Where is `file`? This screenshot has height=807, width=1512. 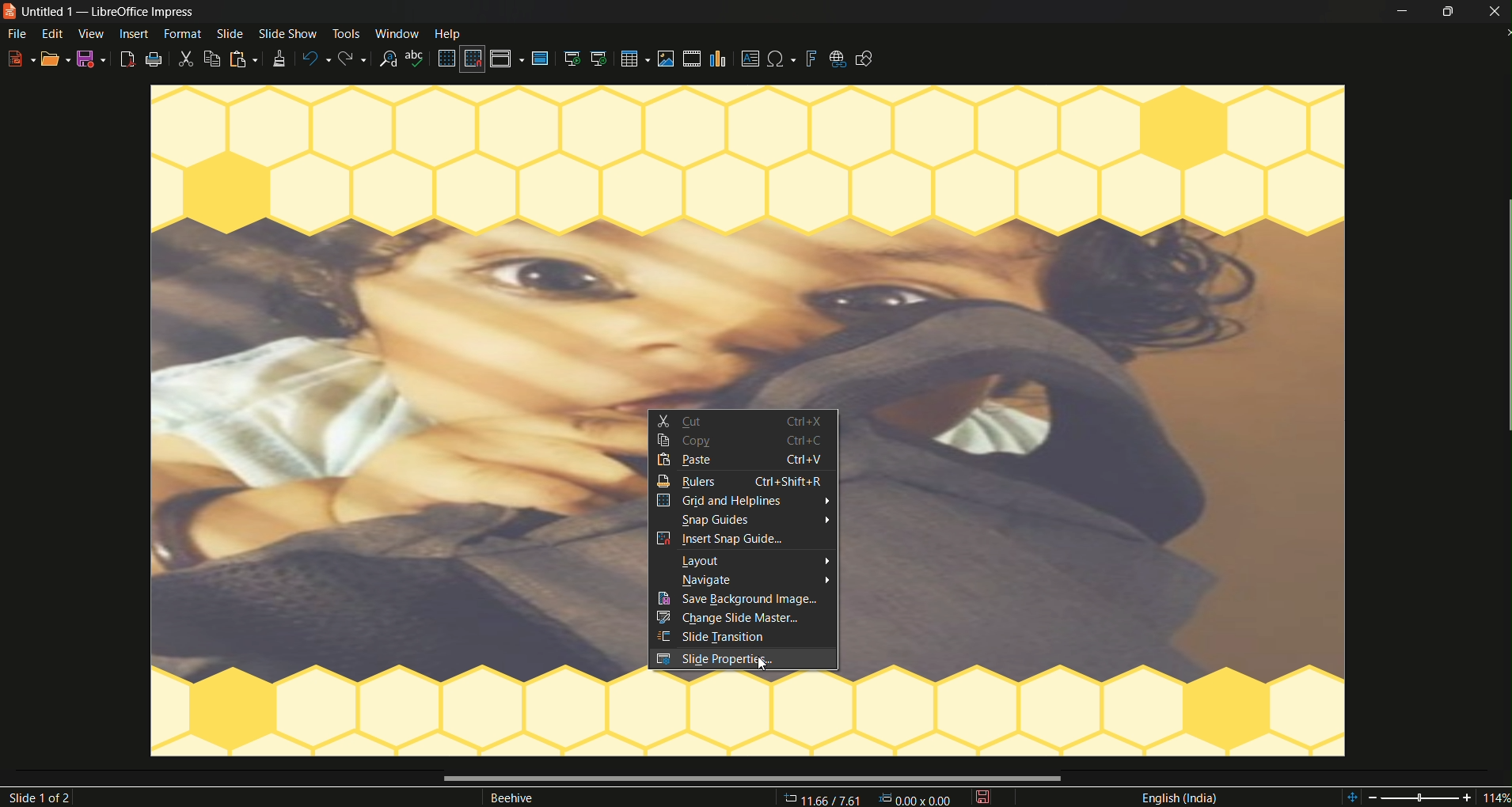
file is located at coordinates (16, 32).